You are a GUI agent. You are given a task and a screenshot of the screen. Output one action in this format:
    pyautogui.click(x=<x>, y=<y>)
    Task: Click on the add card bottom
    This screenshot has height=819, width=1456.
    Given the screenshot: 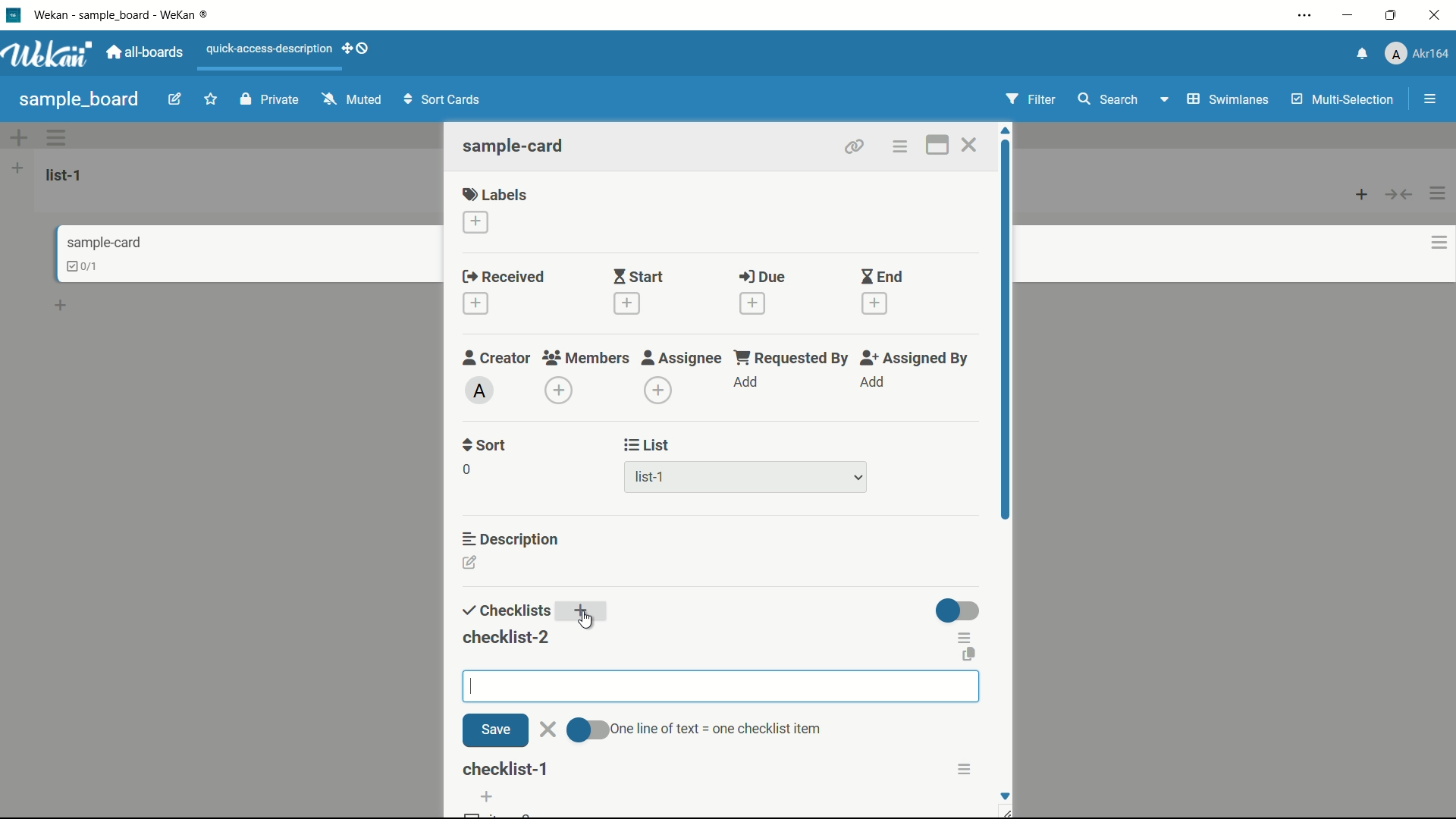 What is the action you would take?
    pyautogui.click(x=67, y=306)
    